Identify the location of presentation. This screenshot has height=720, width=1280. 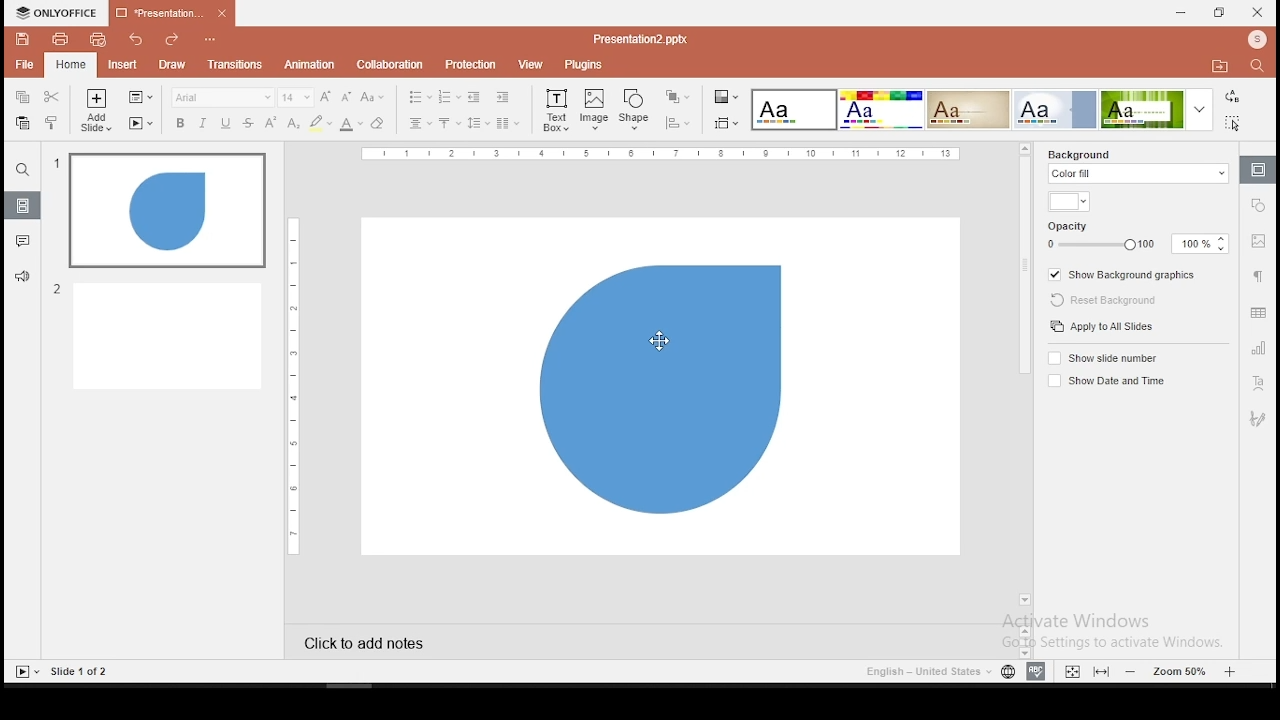
(638, 39).